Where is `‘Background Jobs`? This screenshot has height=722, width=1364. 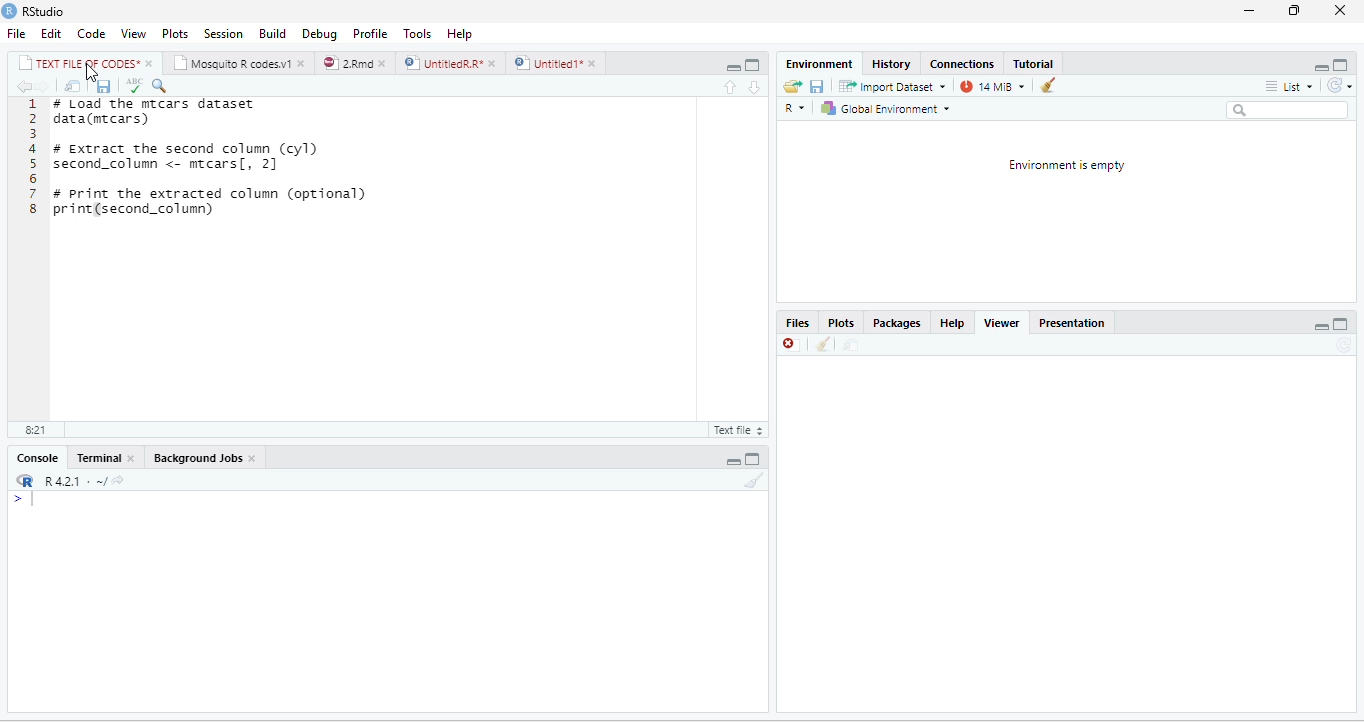
‘Background Jobs is located at coordinates (195, 457).